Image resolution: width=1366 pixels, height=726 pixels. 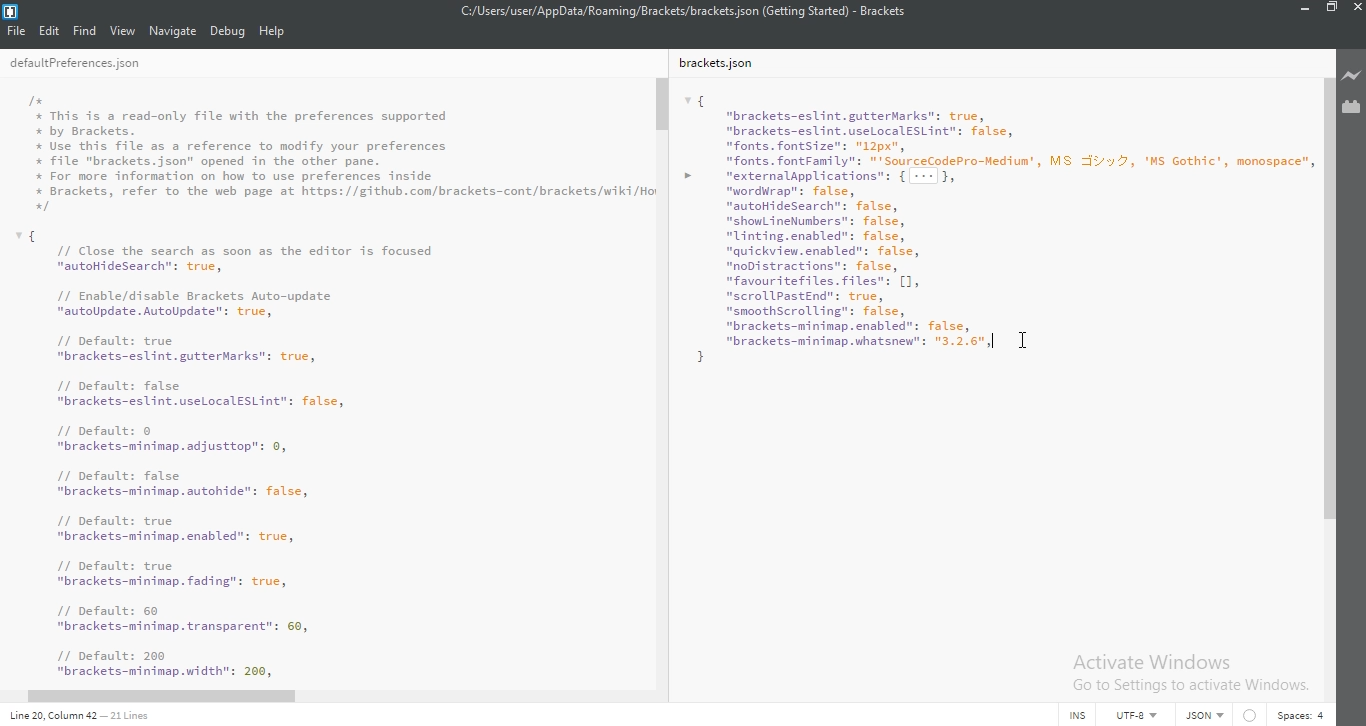 I want to click on Navigate, so click(x=174, y=30).